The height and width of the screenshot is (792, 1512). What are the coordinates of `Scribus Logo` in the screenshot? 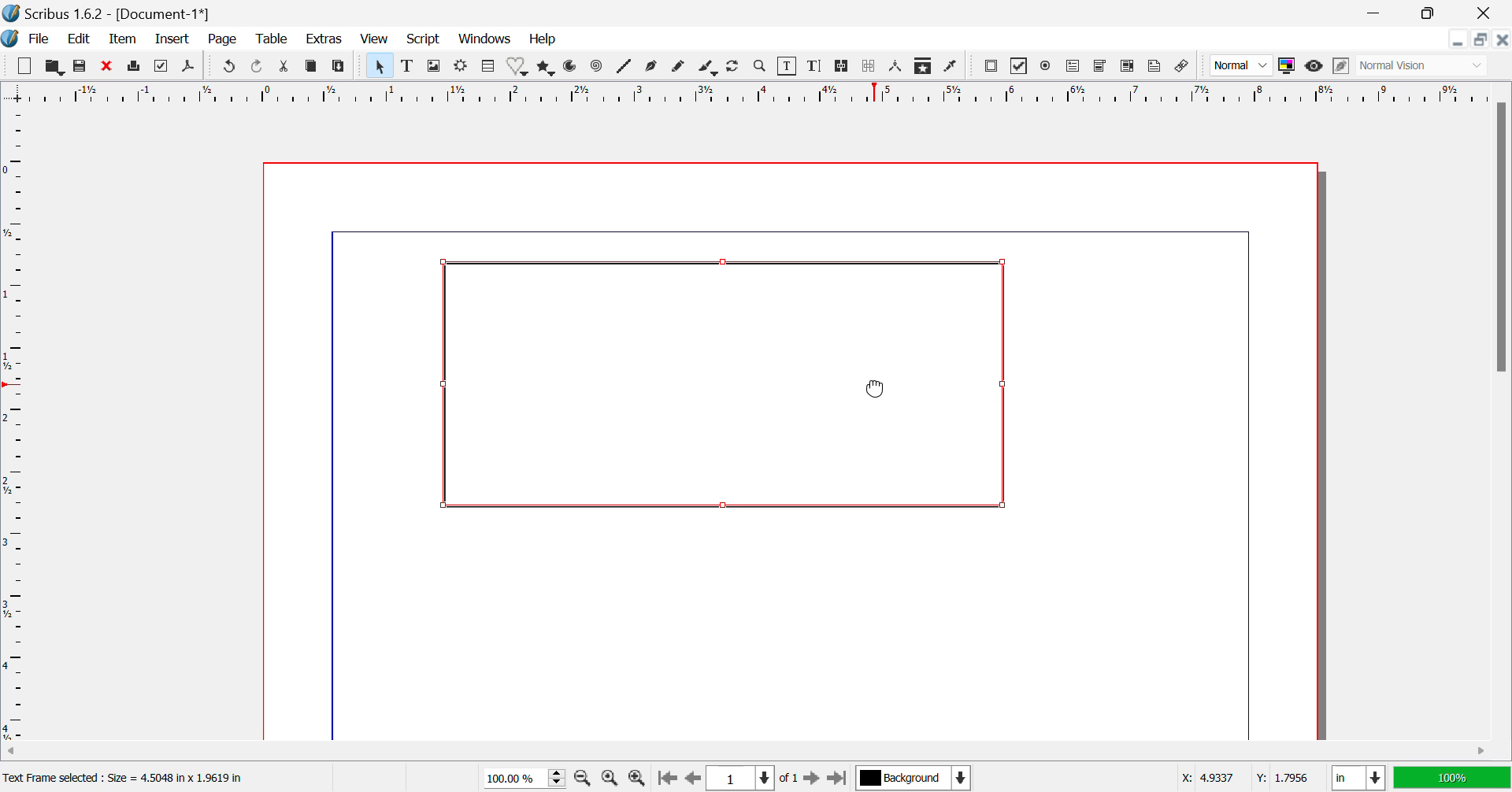 It's located at (11, 39).